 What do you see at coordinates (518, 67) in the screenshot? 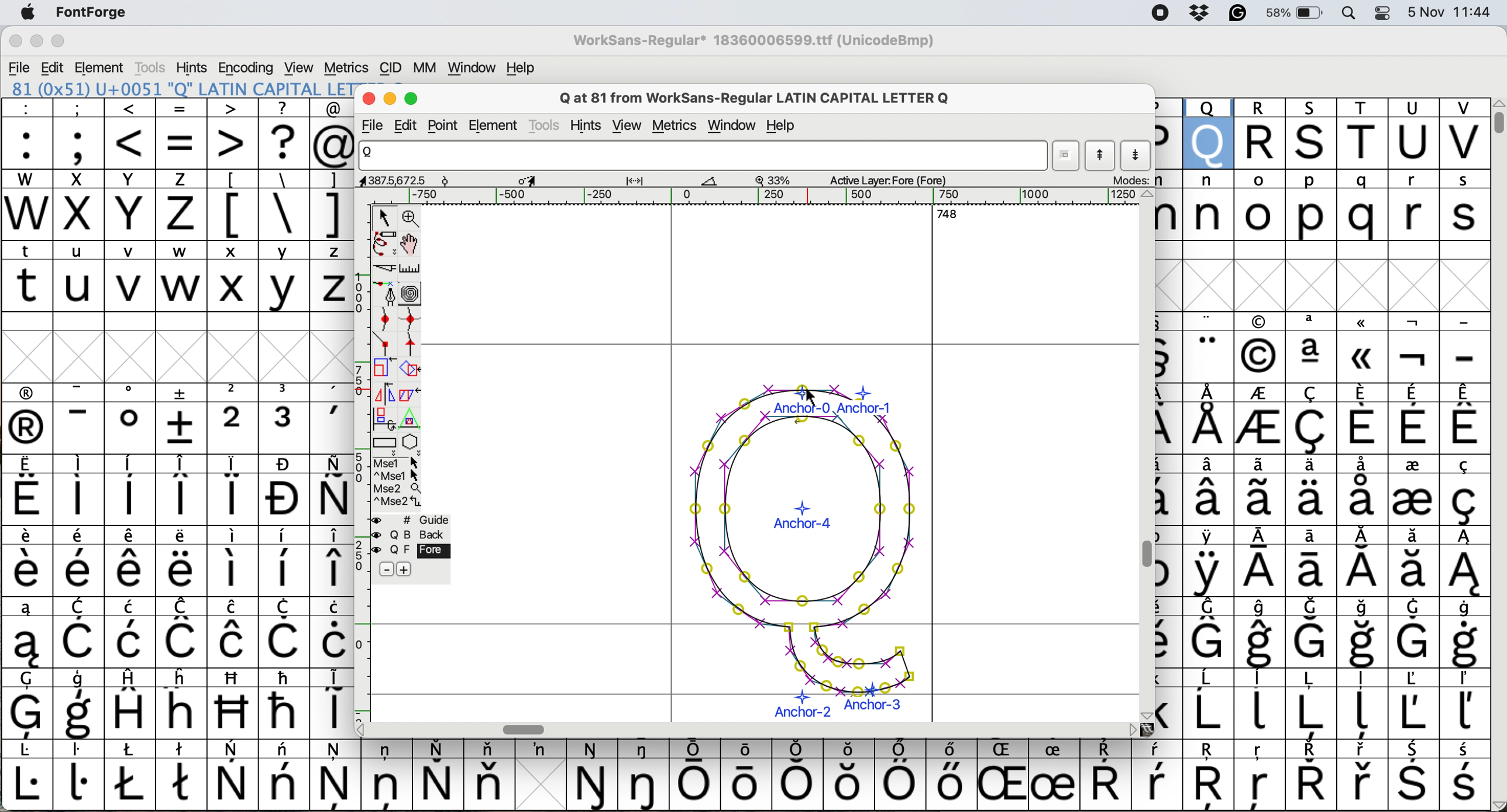
I see `help` at bounding box center [518, 67].